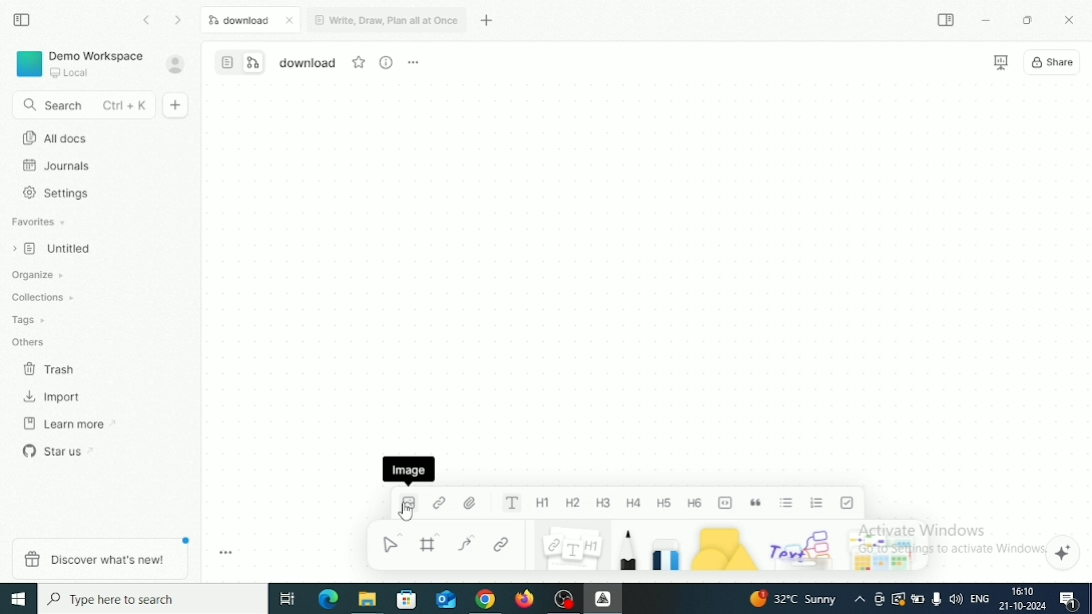  Describe the element at coordinates (726, 503) in the screenshot. I see `Code block` at that location.